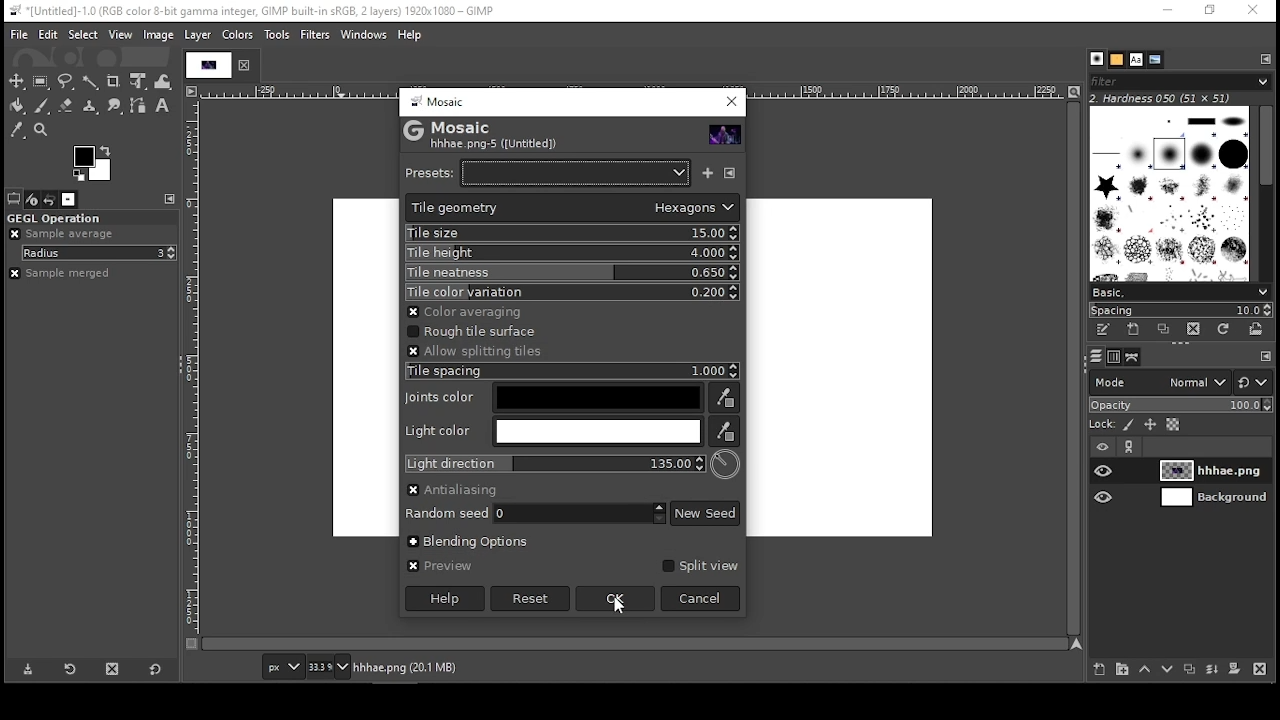 The width and height of the screenshot is (1280, 720). Describe the element at coordinates (1096, 356) in the screenshot. I see `layers` at that location.